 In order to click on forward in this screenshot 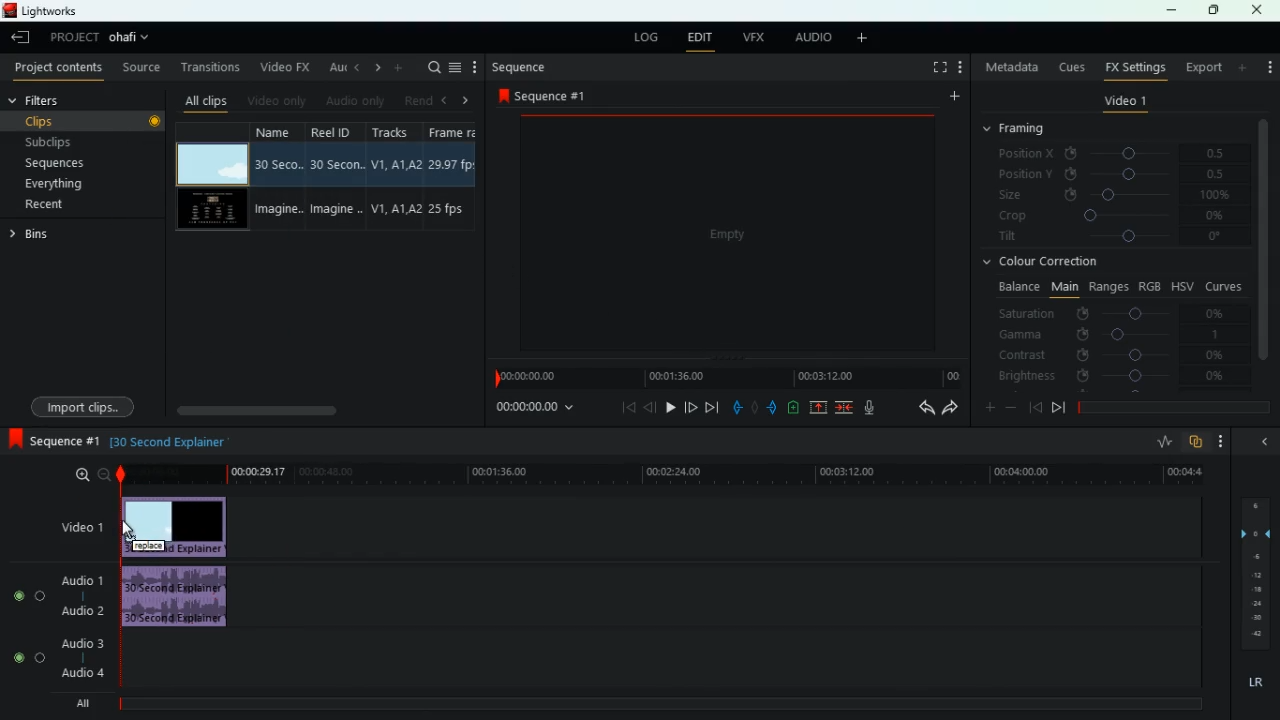, I will do `click(711, 408)`.